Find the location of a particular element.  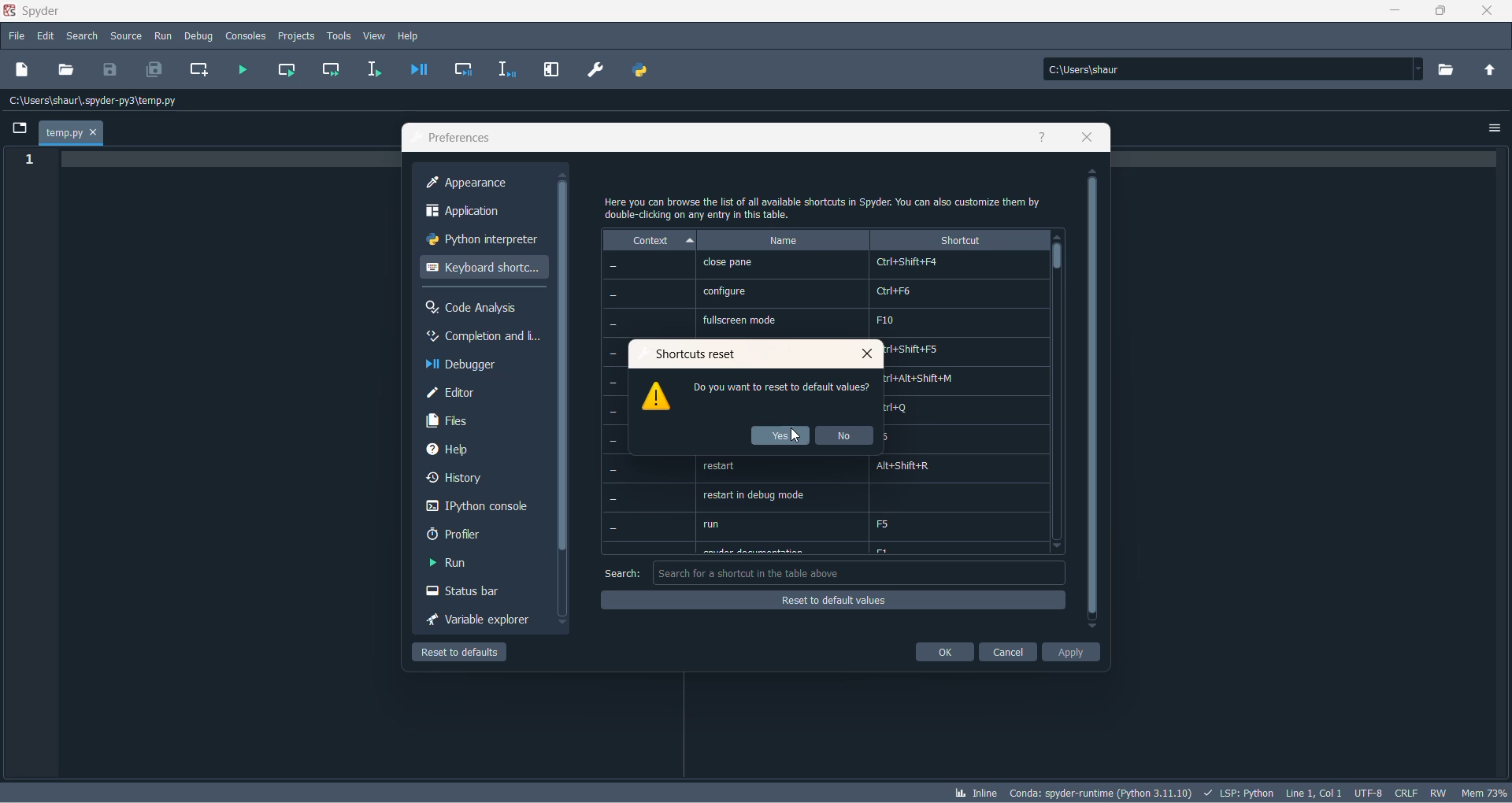

folder is located at coordinates (18, 130).